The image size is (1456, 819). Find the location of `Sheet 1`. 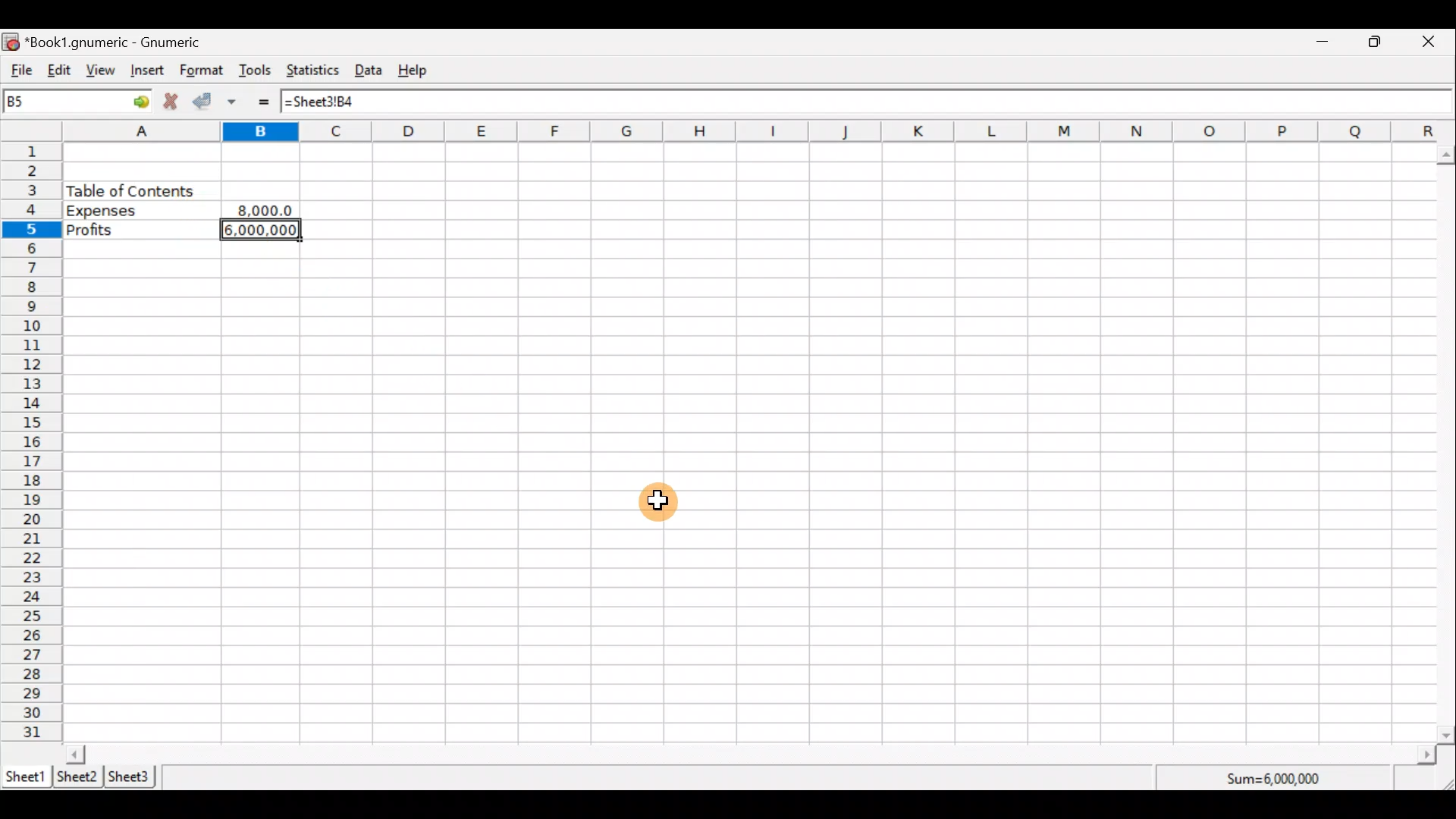

Sheet 1 is located at coordinates (26, 775).